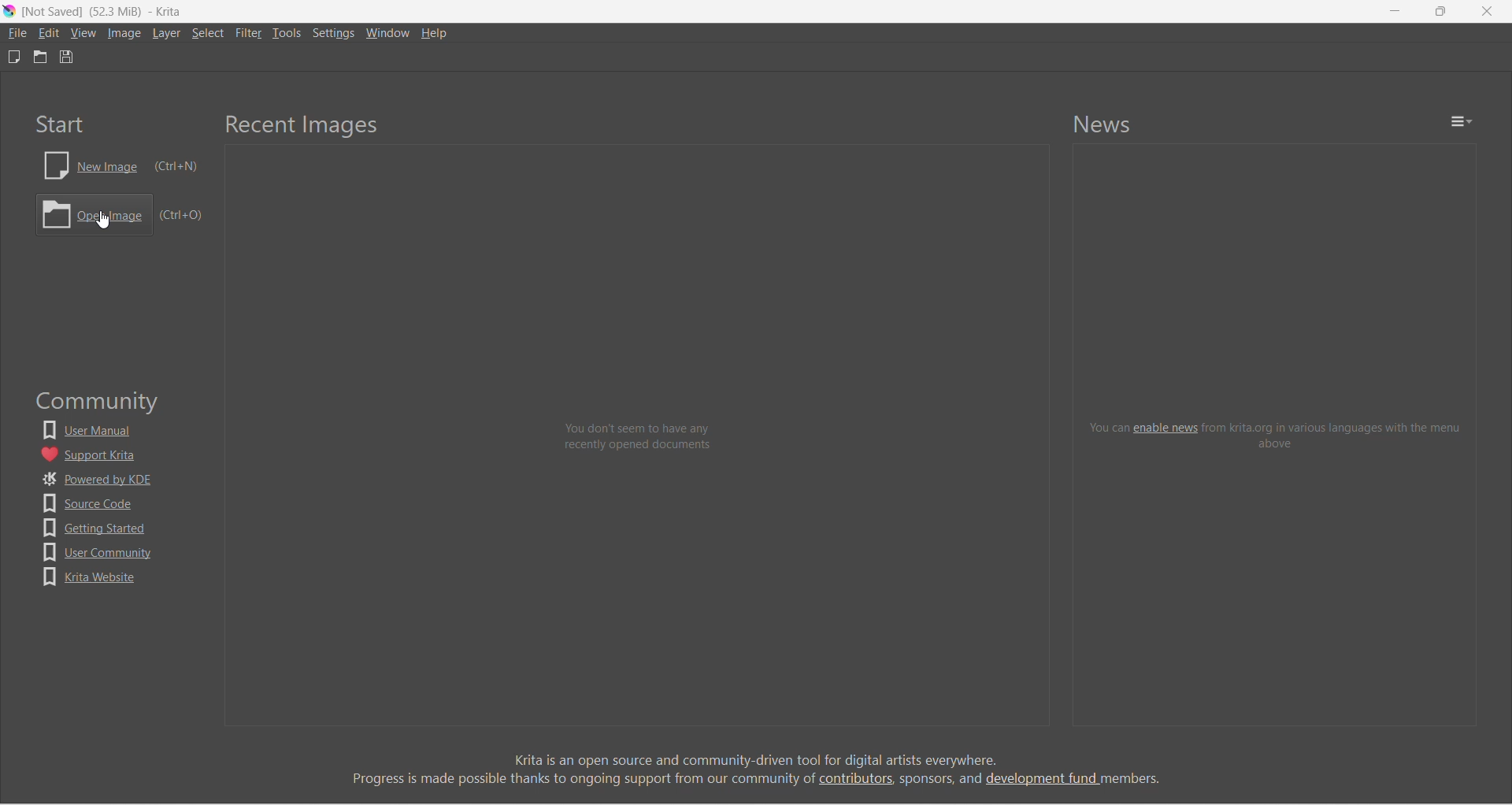 The width and height of the screenshot is (1512, 805). I want to click on help, so click(436, 33).